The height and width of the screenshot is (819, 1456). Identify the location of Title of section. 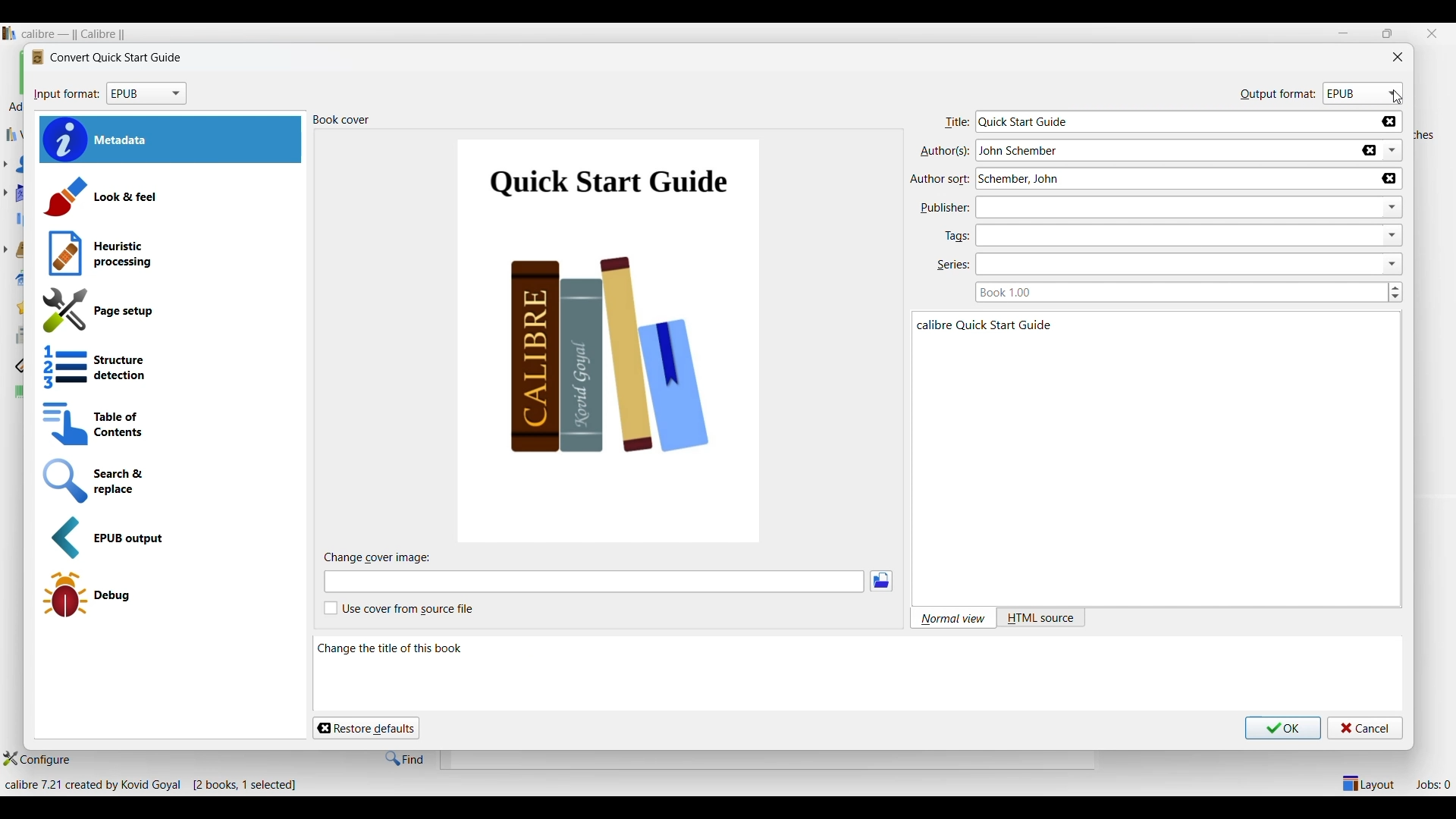
(341, 119).